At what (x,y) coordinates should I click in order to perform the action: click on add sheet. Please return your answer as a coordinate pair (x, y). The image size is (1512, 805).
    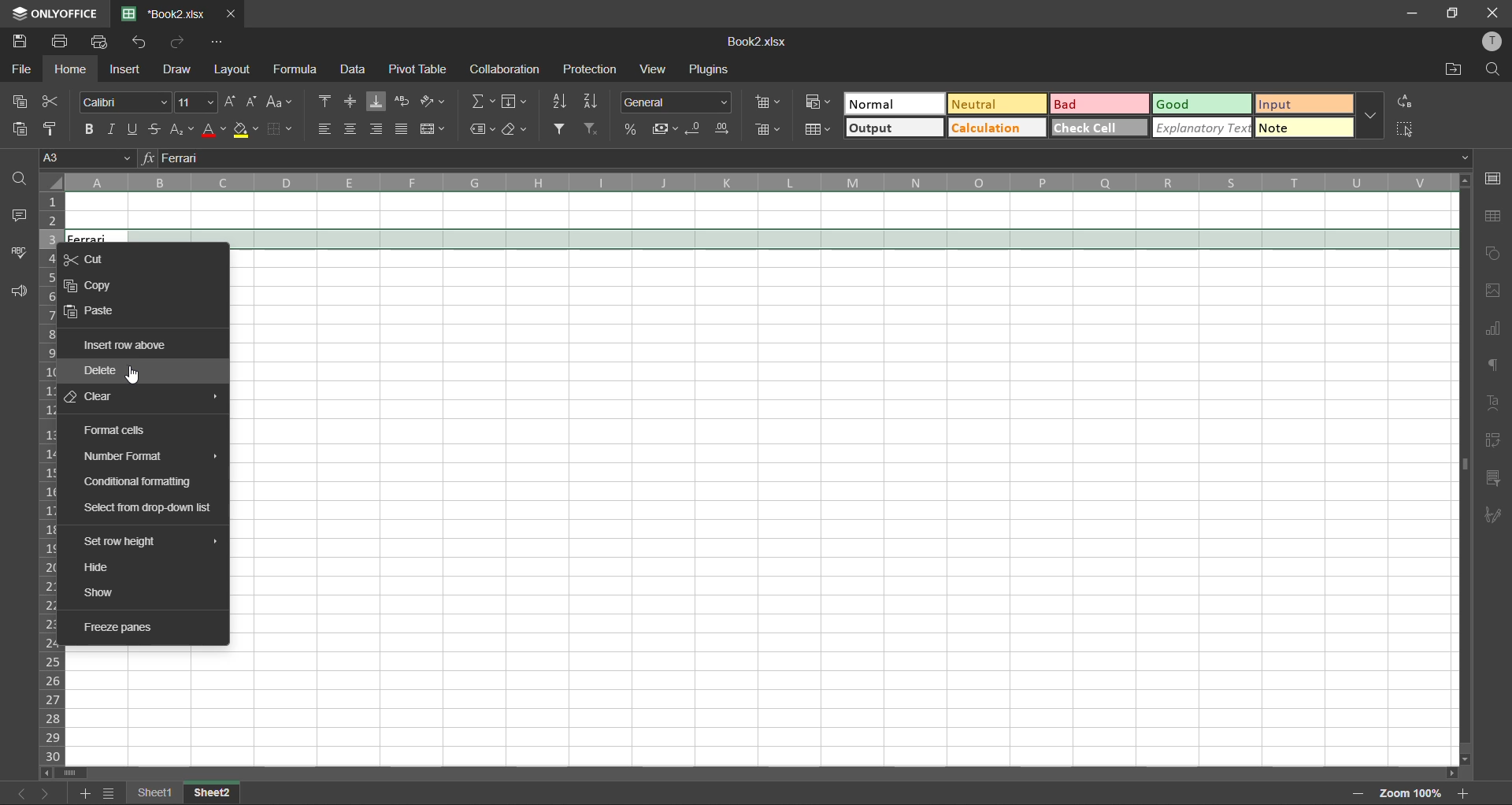
    Looking at the image, I should click on (87, 792).